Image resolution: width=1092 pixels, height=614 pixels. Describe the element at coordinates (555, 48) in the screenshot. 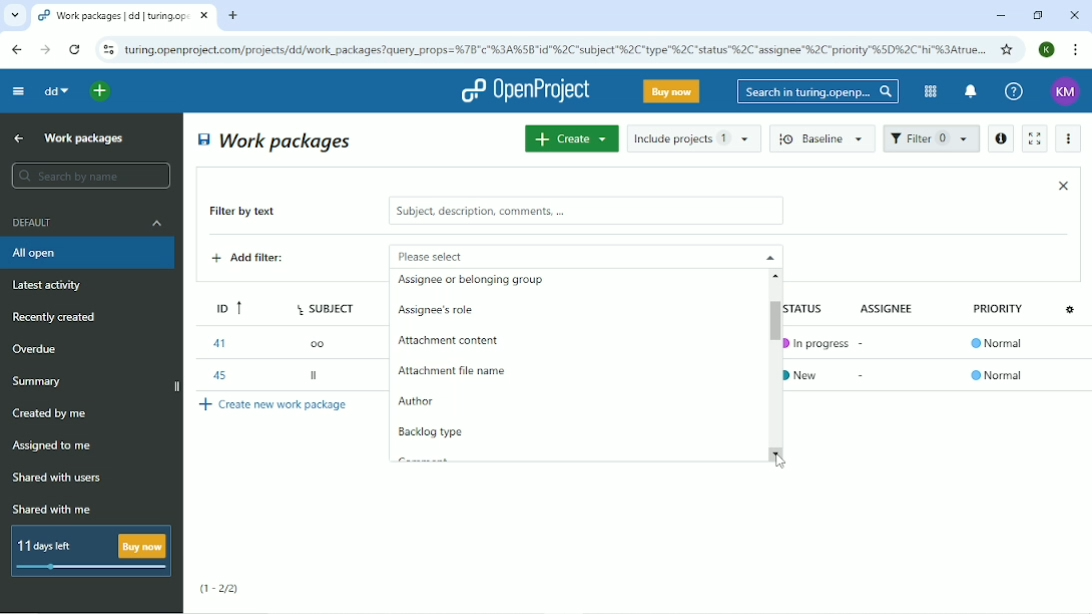

I see `Site address` at that location.